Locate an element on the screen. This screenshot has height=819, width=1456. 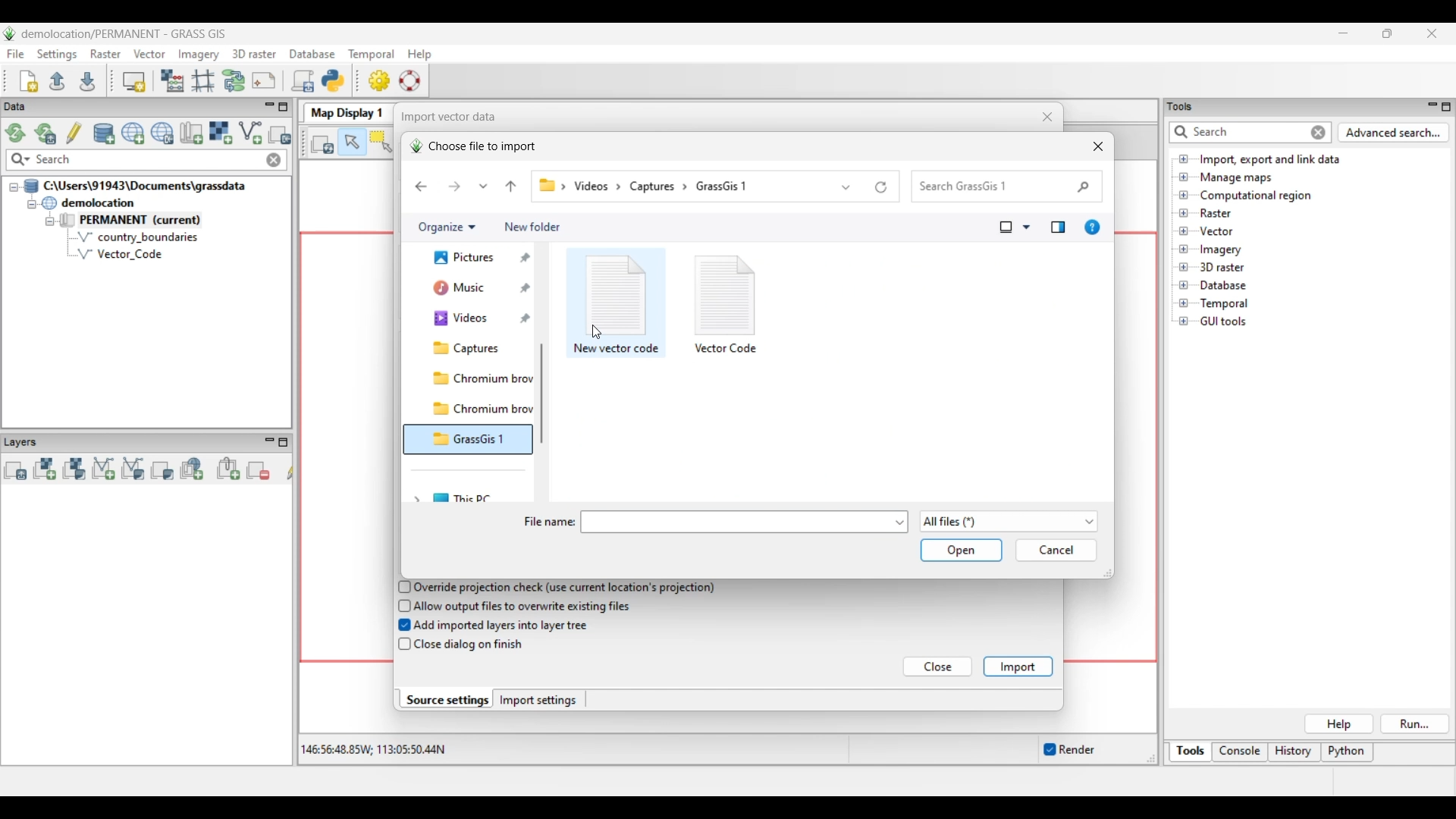
File name options is located at coordinates (900, 522).